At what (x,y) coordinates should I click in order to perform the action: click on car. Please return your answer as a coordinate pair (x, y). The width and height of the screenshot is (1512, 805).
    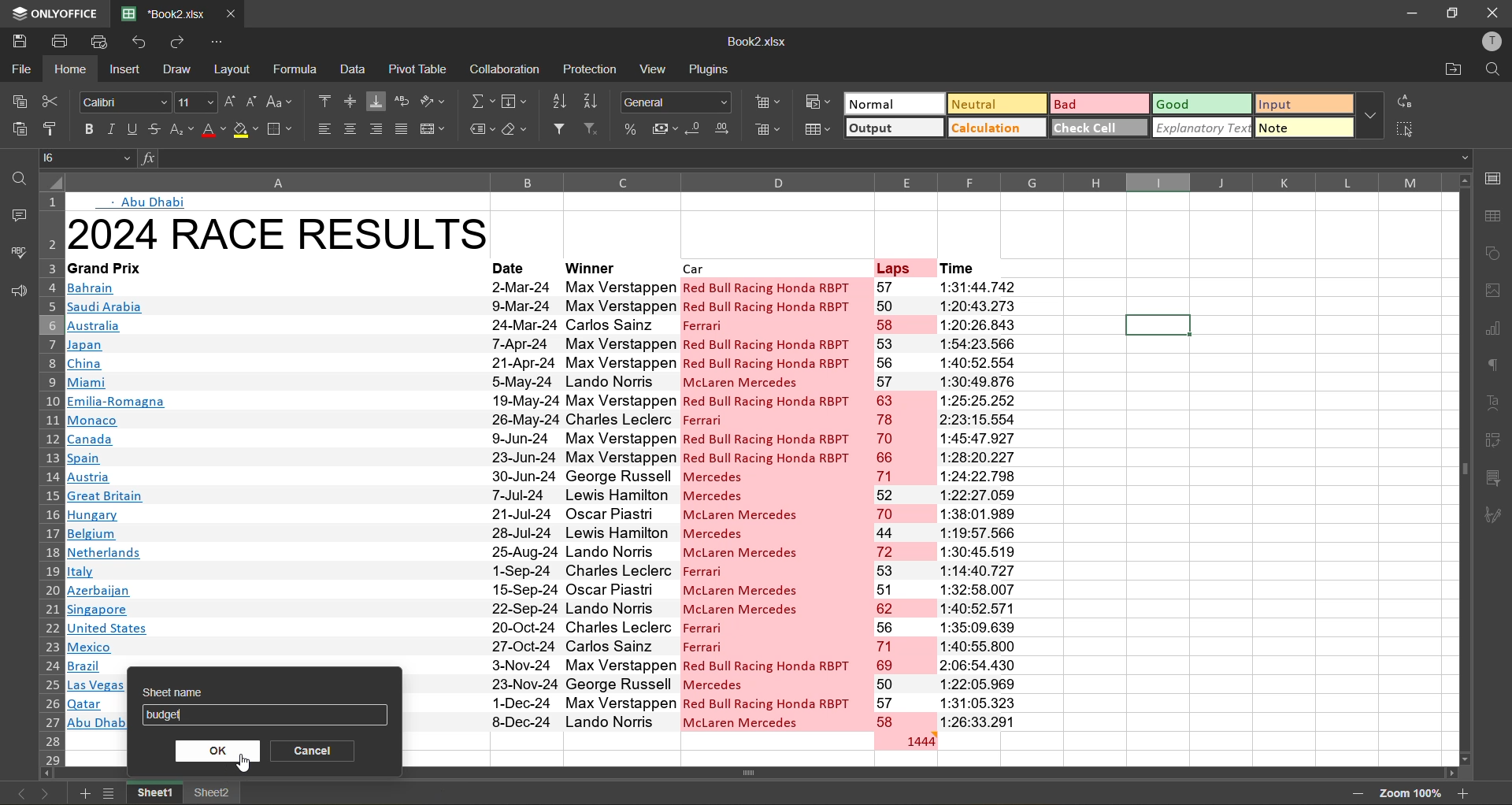
    Looking at the image, I should click on (774, 266).